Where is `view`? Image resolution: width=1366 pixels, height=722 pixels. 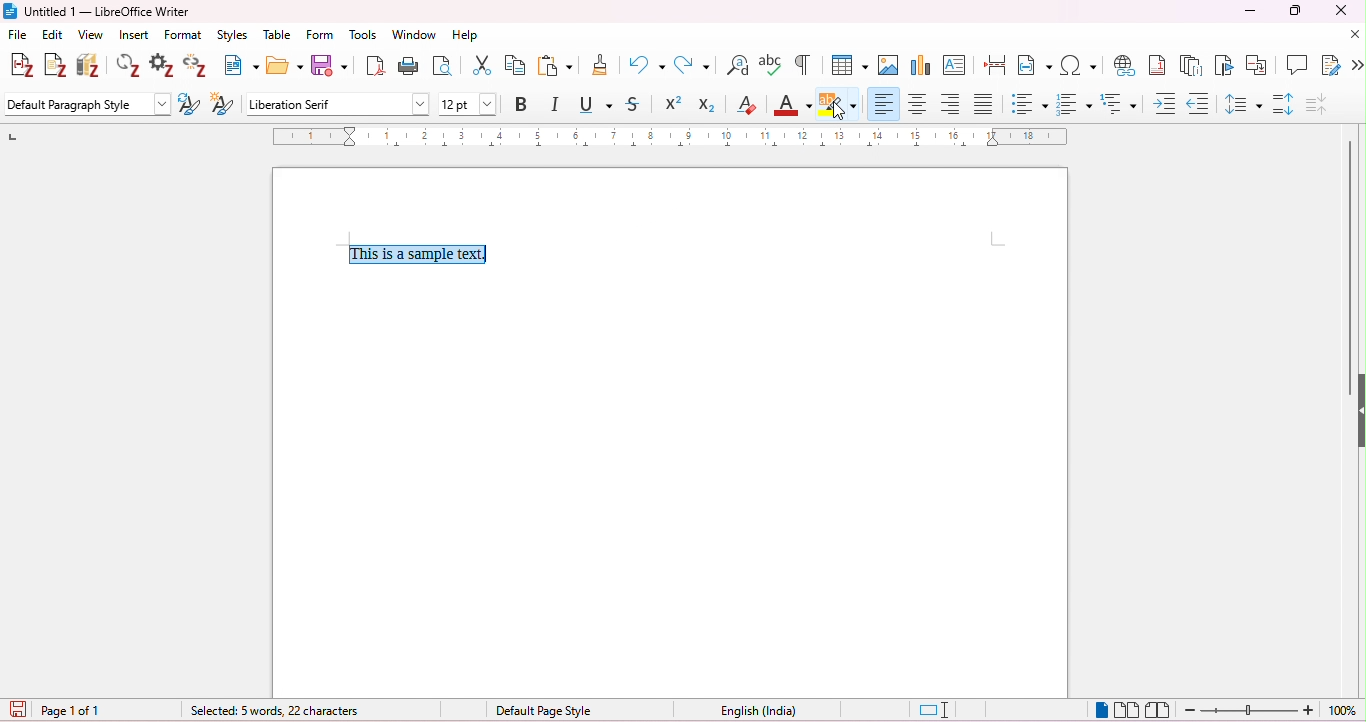
view is located at coordinates (93, 35).